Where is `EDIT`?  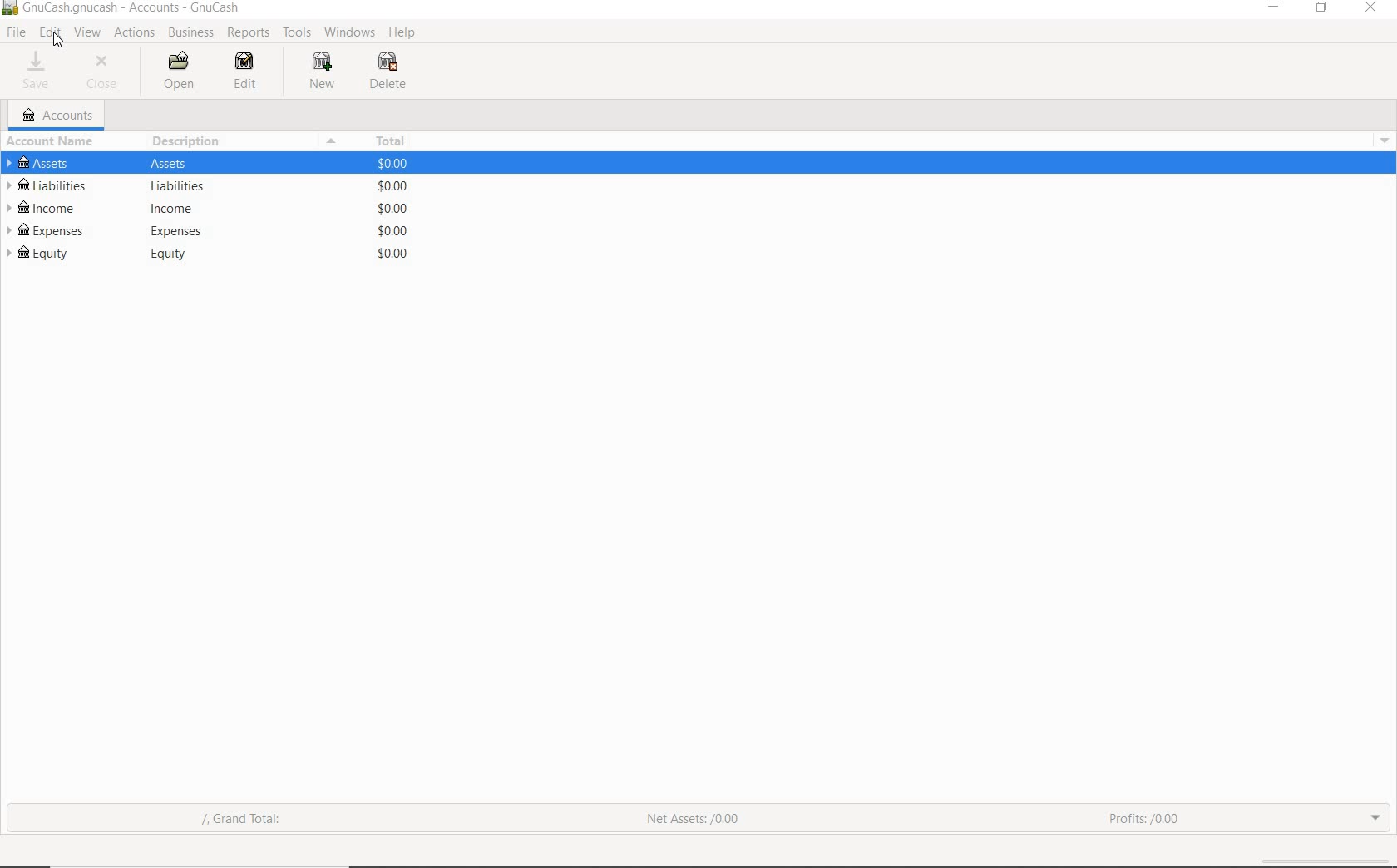 EDIT is located at coordinates (49, 32).